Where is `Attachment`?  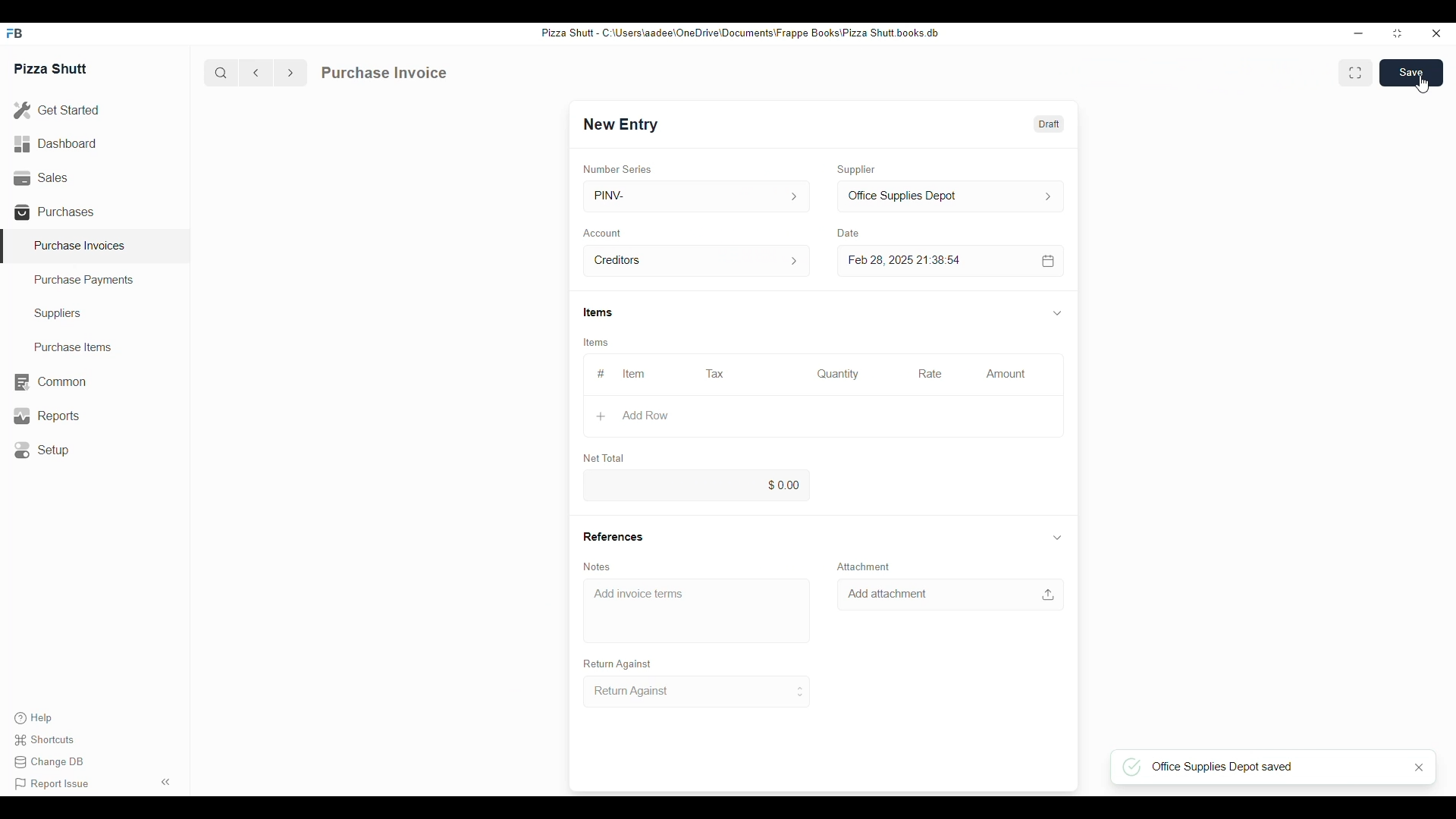
Attachment is located at coordinates (864, 566).